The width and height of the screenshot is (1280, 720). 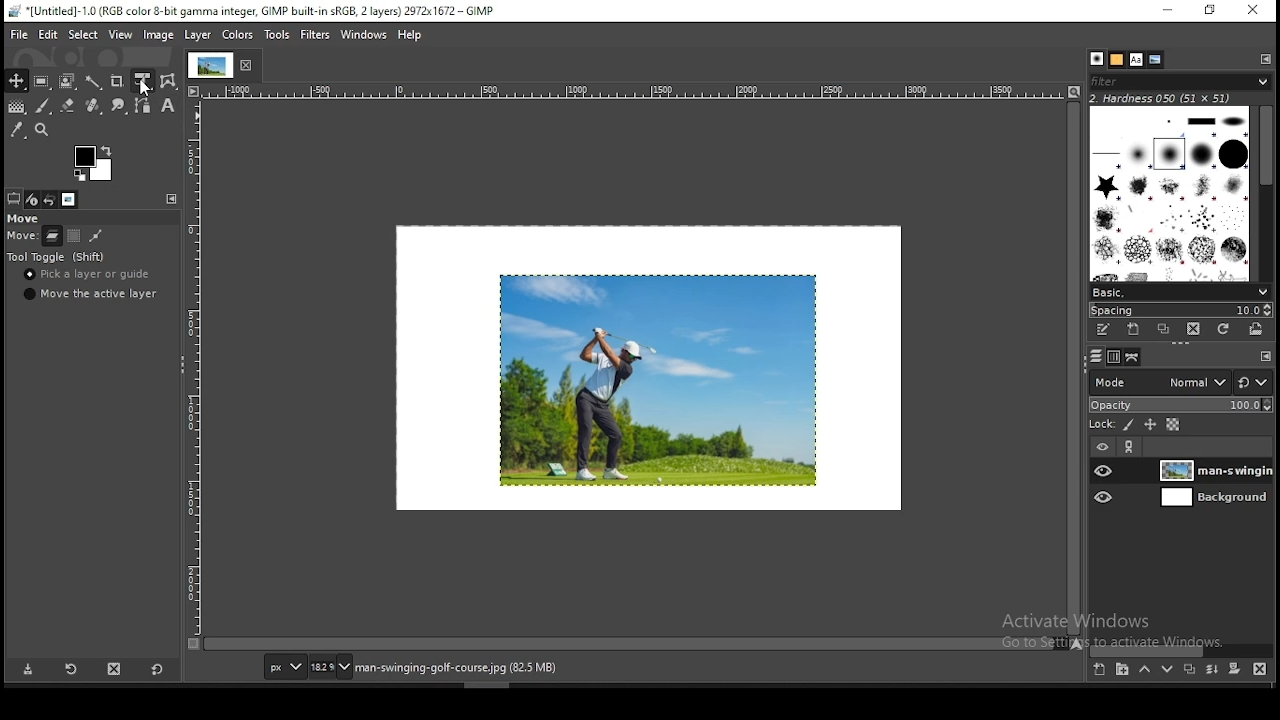 What do you see at coordinates (1161, 99) in the screenshot?
I see `hardness 050 (51x51)` at bounding box center [1161, 99].